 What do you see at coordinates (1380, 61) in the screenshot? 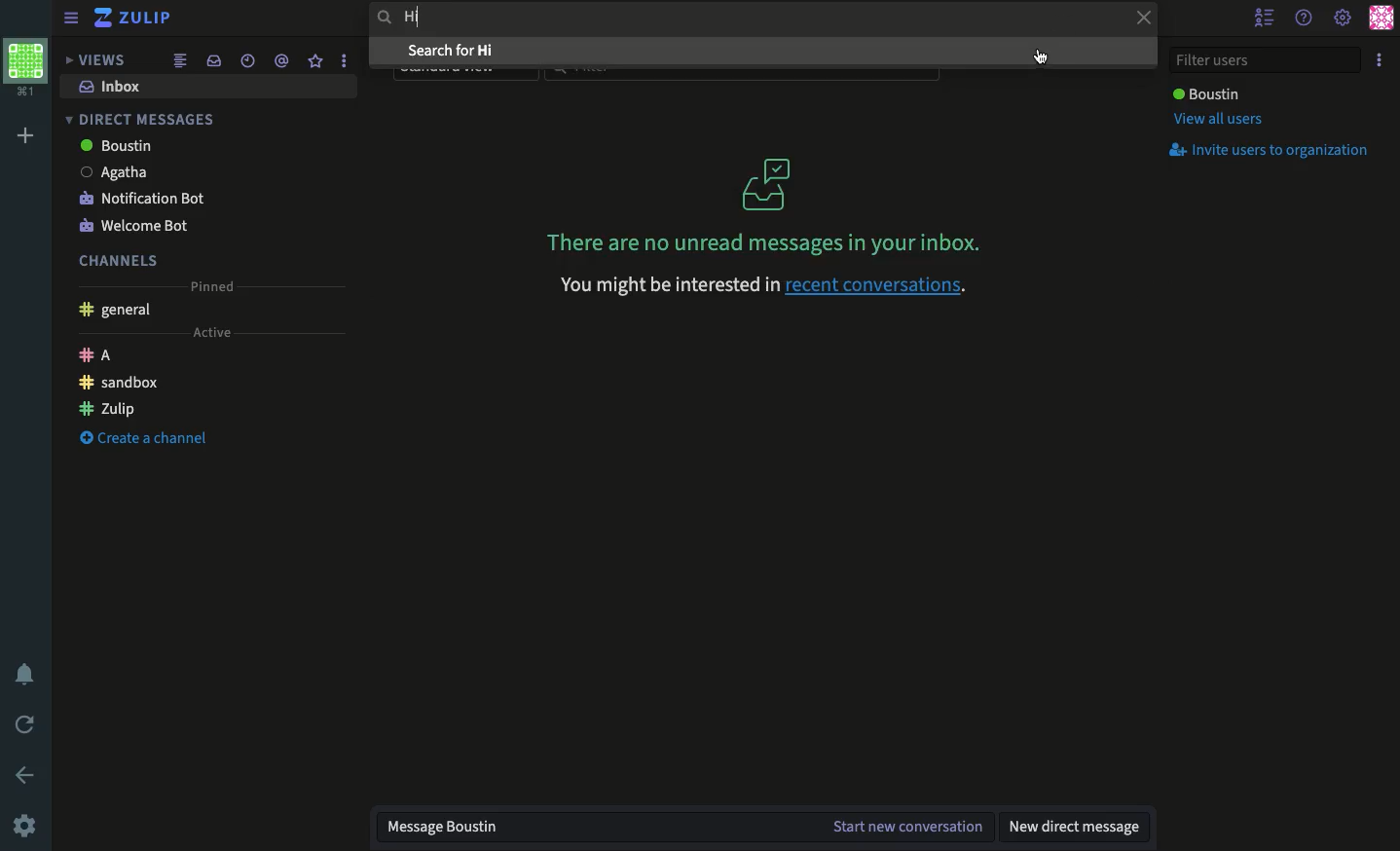
I see `Options` at bounding box center [1380, 61].